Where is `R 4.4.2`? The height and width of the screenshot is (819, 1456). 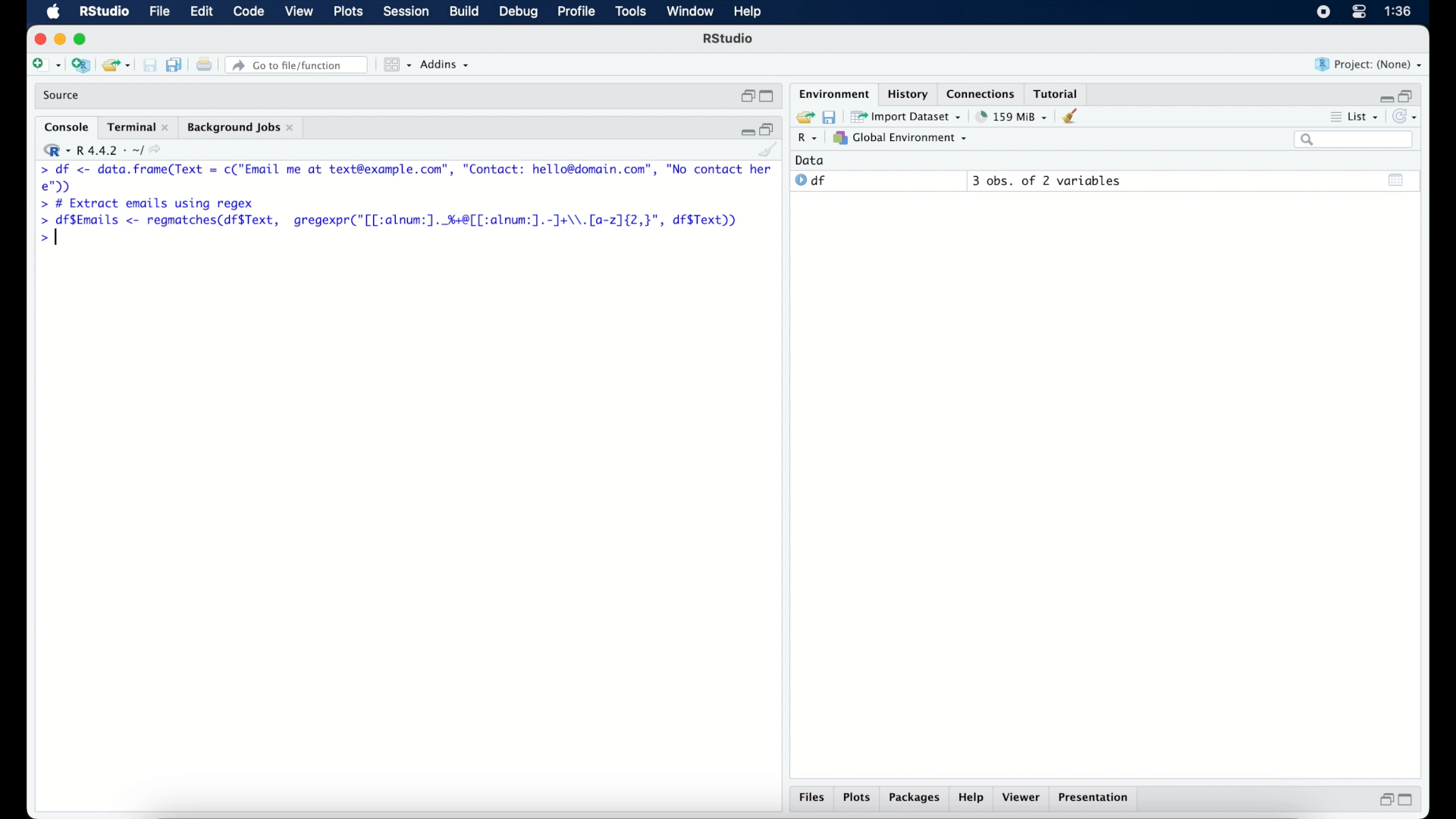 R 4.4.2 is located at coordinates (105, 150).